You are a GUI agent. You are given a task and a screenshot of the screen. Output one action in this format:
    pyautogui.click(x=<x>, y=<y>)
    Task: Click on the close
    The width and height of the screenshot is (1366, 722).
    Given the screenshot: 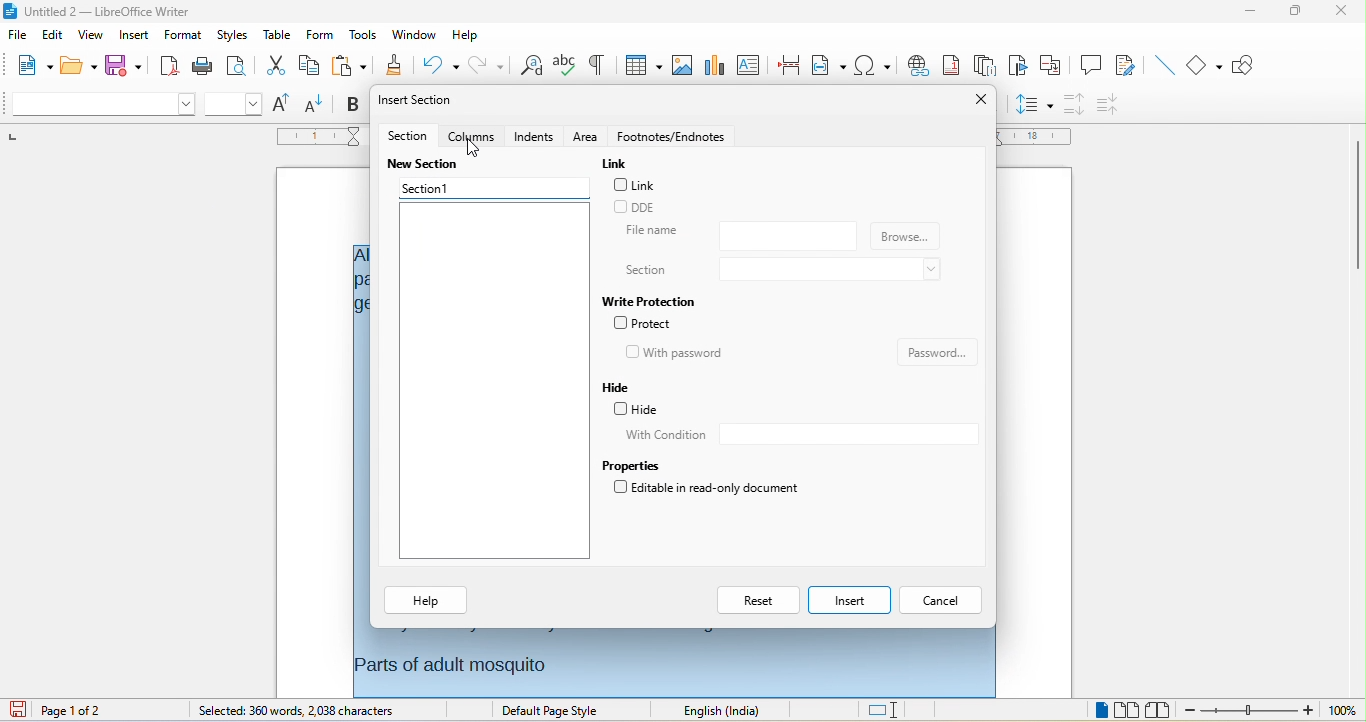 What is the action you would take?
    pyautogui.click(x=1340, y=12)
    